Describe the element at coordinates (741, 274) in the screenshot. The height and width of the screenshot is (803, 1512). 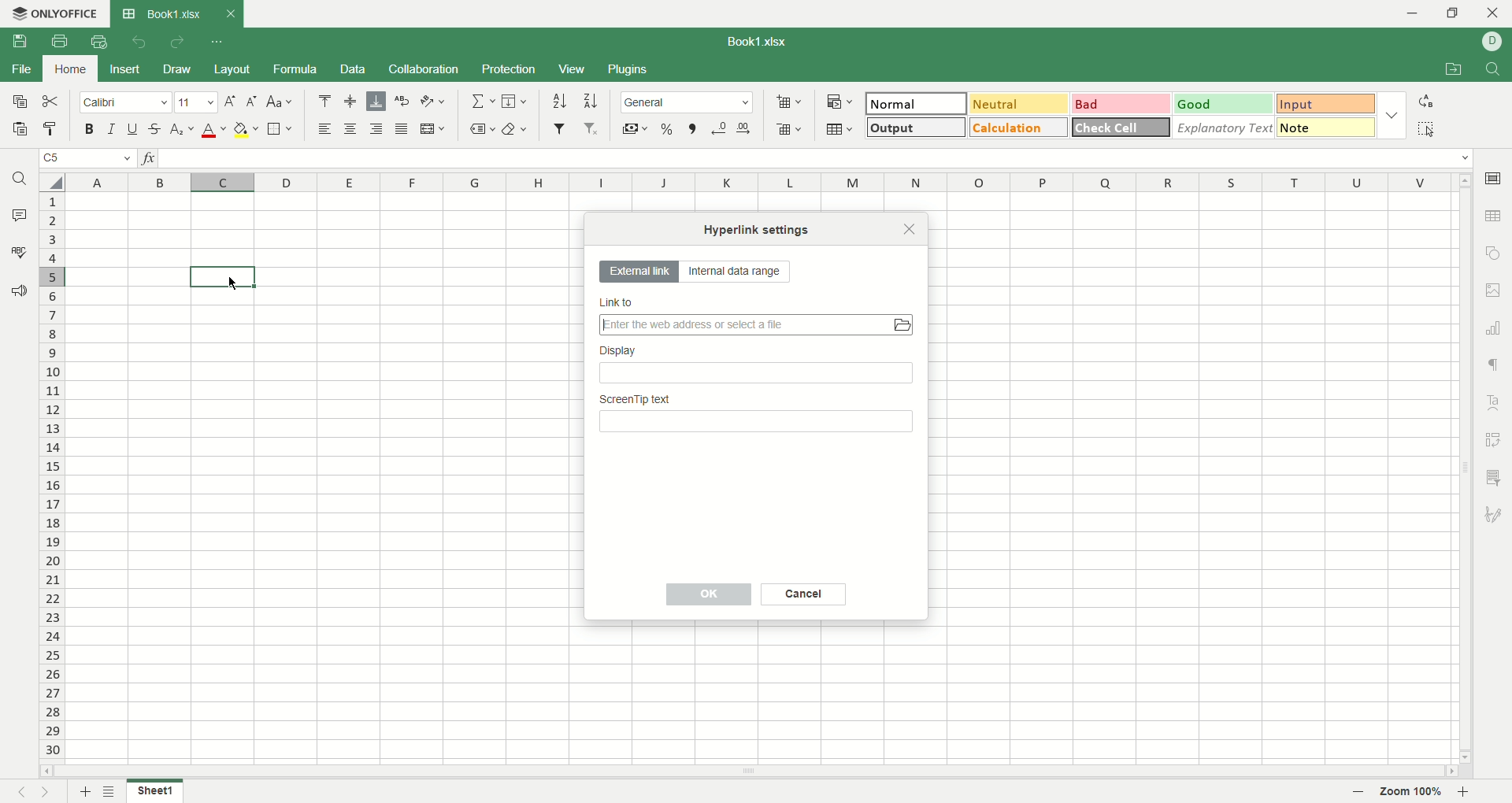
I see `internal data range` at that location.